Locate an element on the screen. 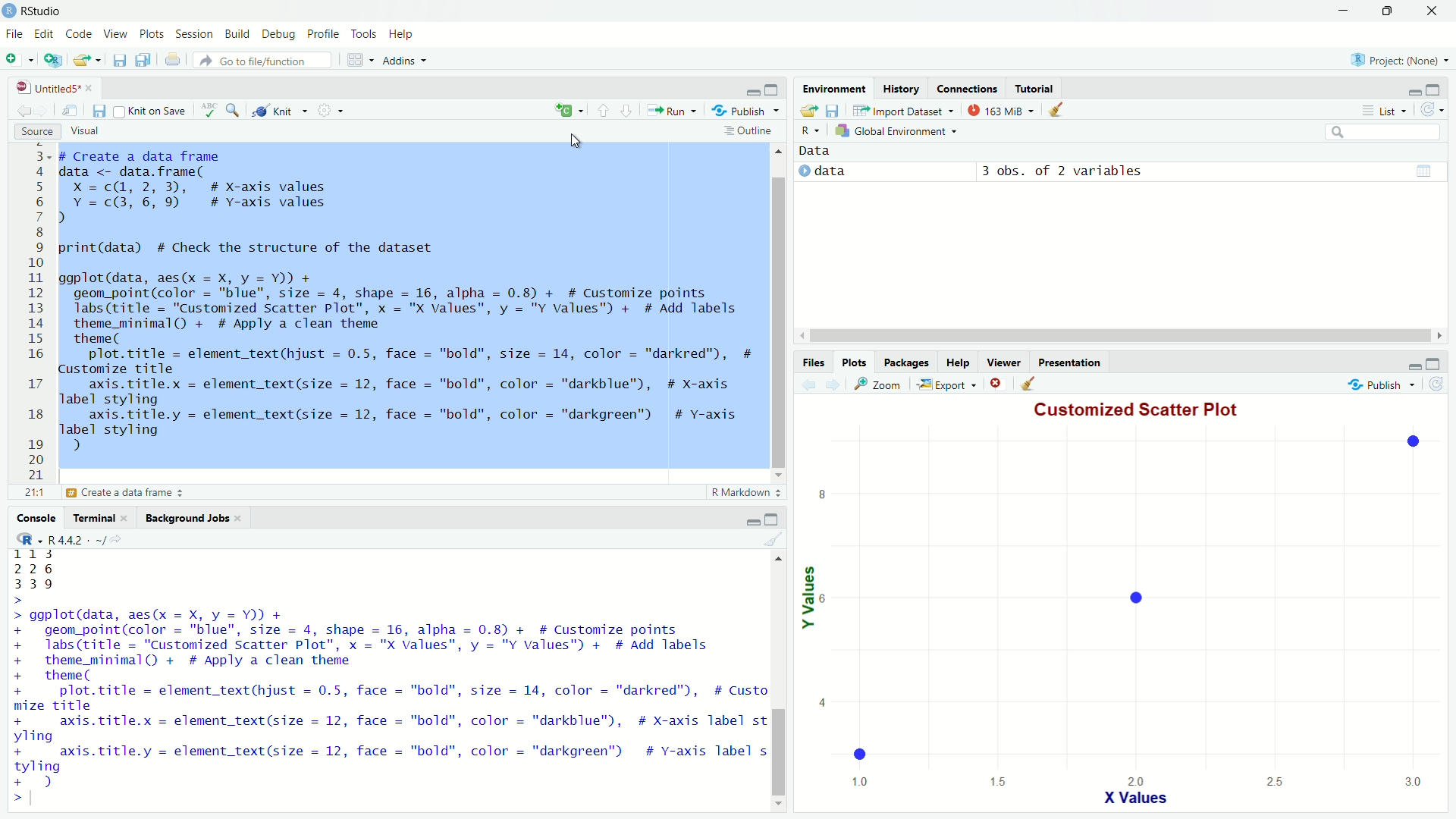  >  is located at coordinates (17, 797).